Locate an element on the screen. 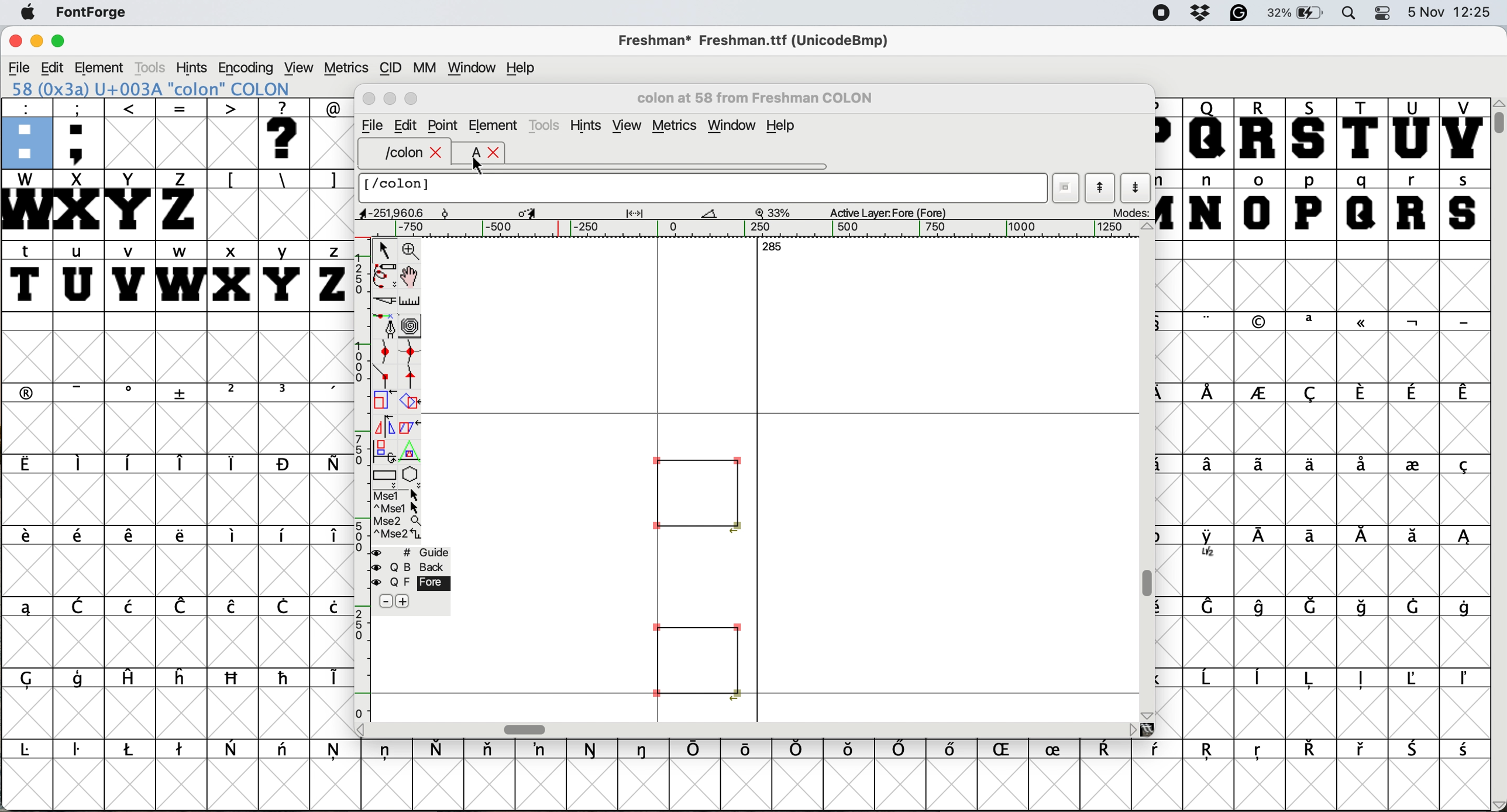  symbol is located at coordinates (491, 752).